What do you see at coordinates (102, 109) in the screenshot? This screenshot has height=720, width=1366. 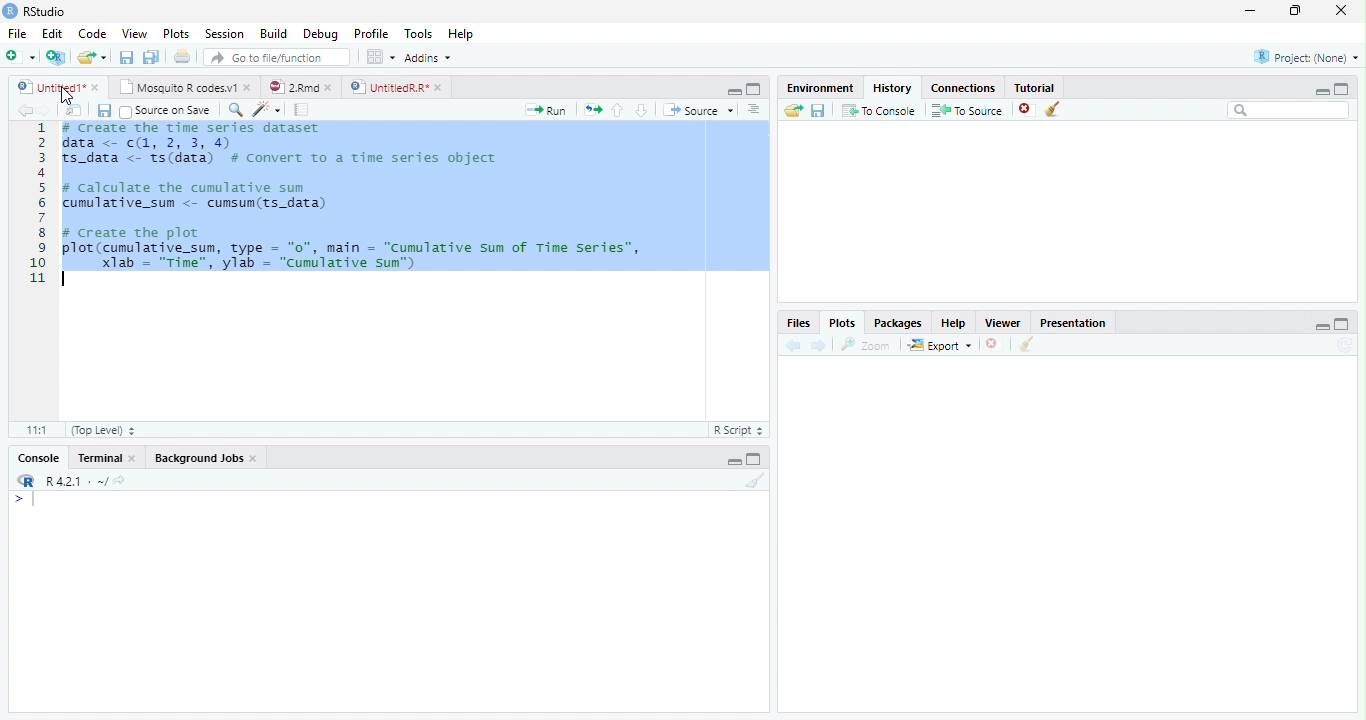 I see `Save` at bounding box center [102, 109].